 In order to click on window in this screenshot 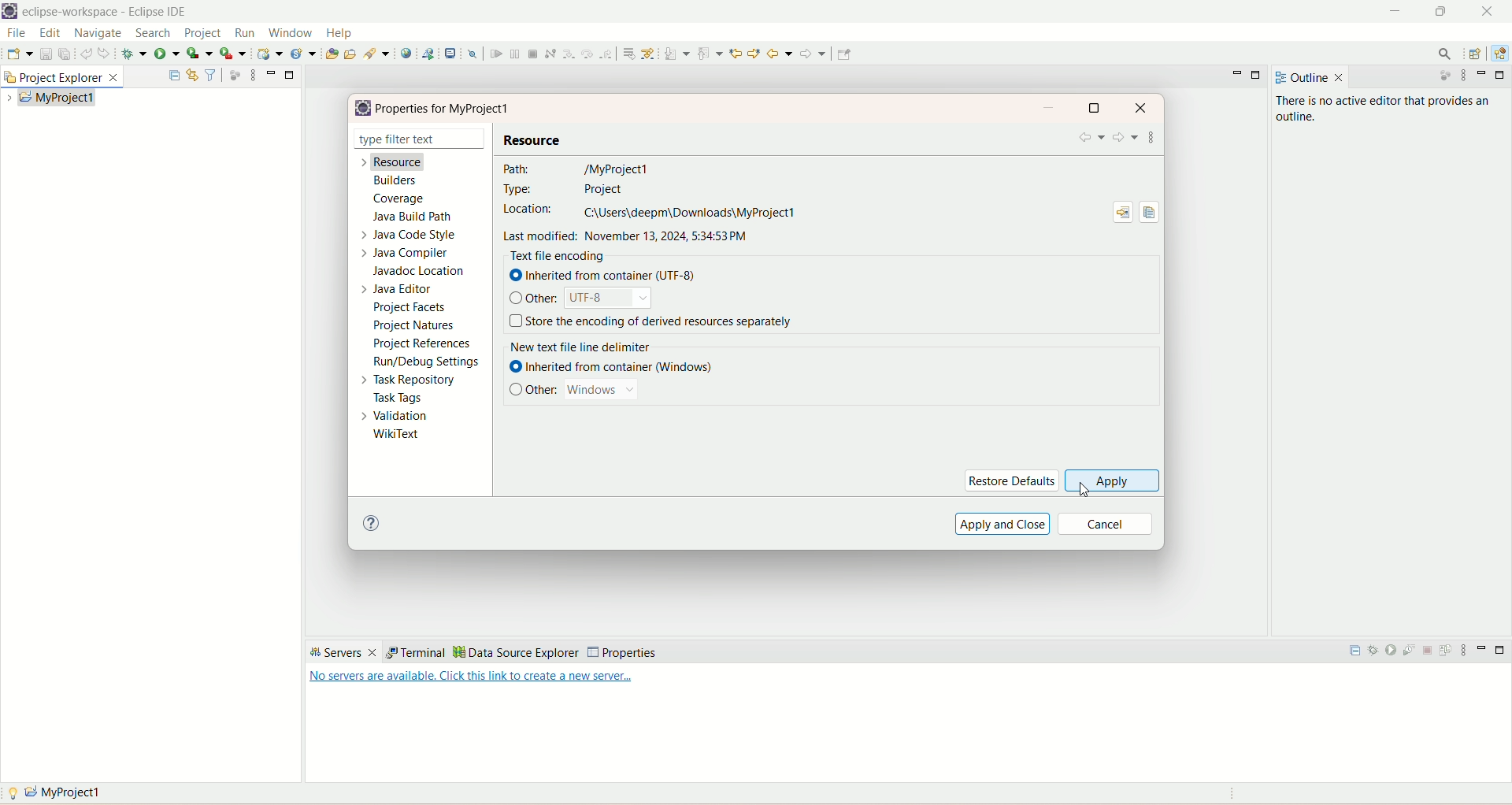, I will do `click(292, 32)`.